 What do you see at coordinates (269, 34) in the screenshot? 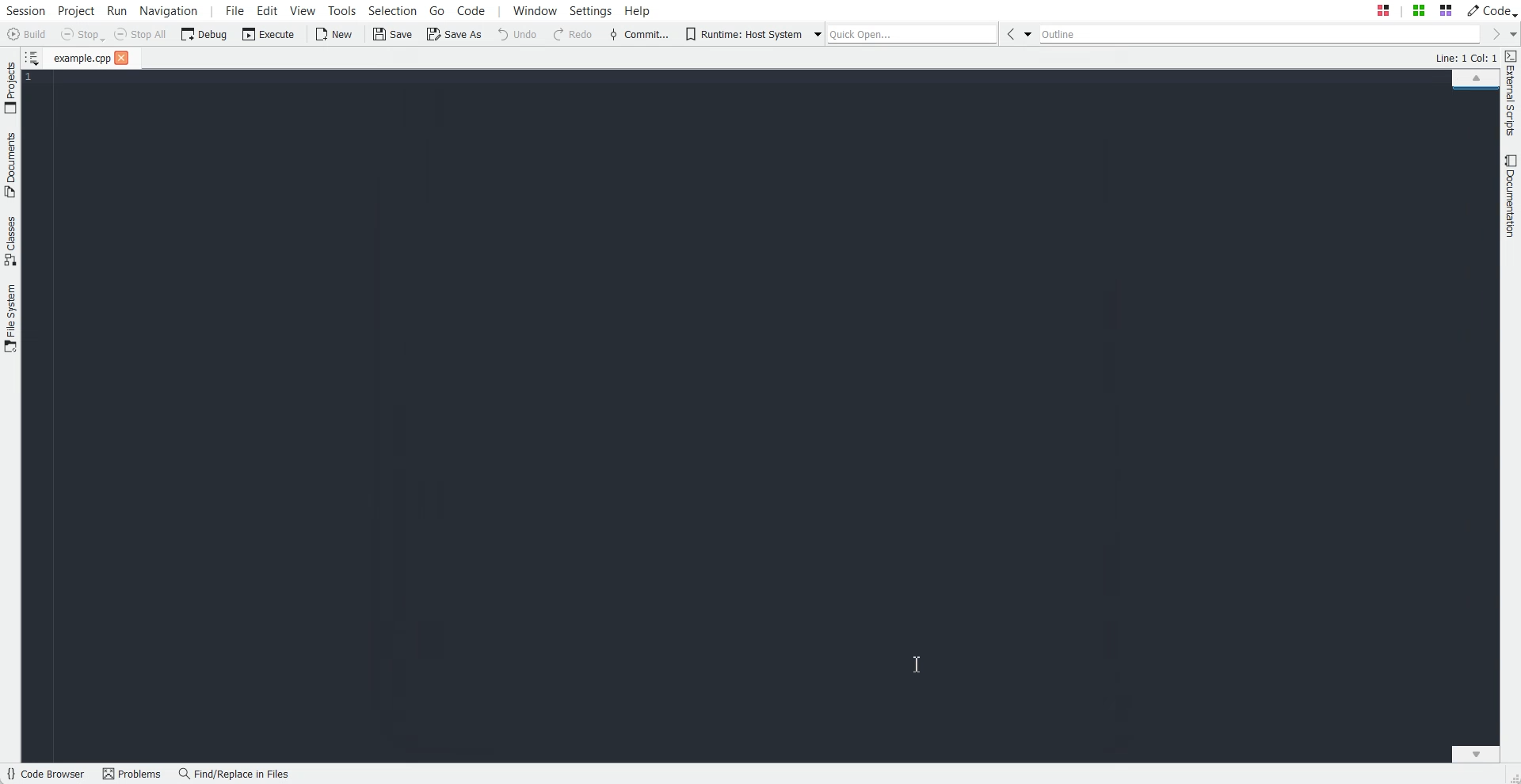
I see `Execute` at bounding box center [269, 34].